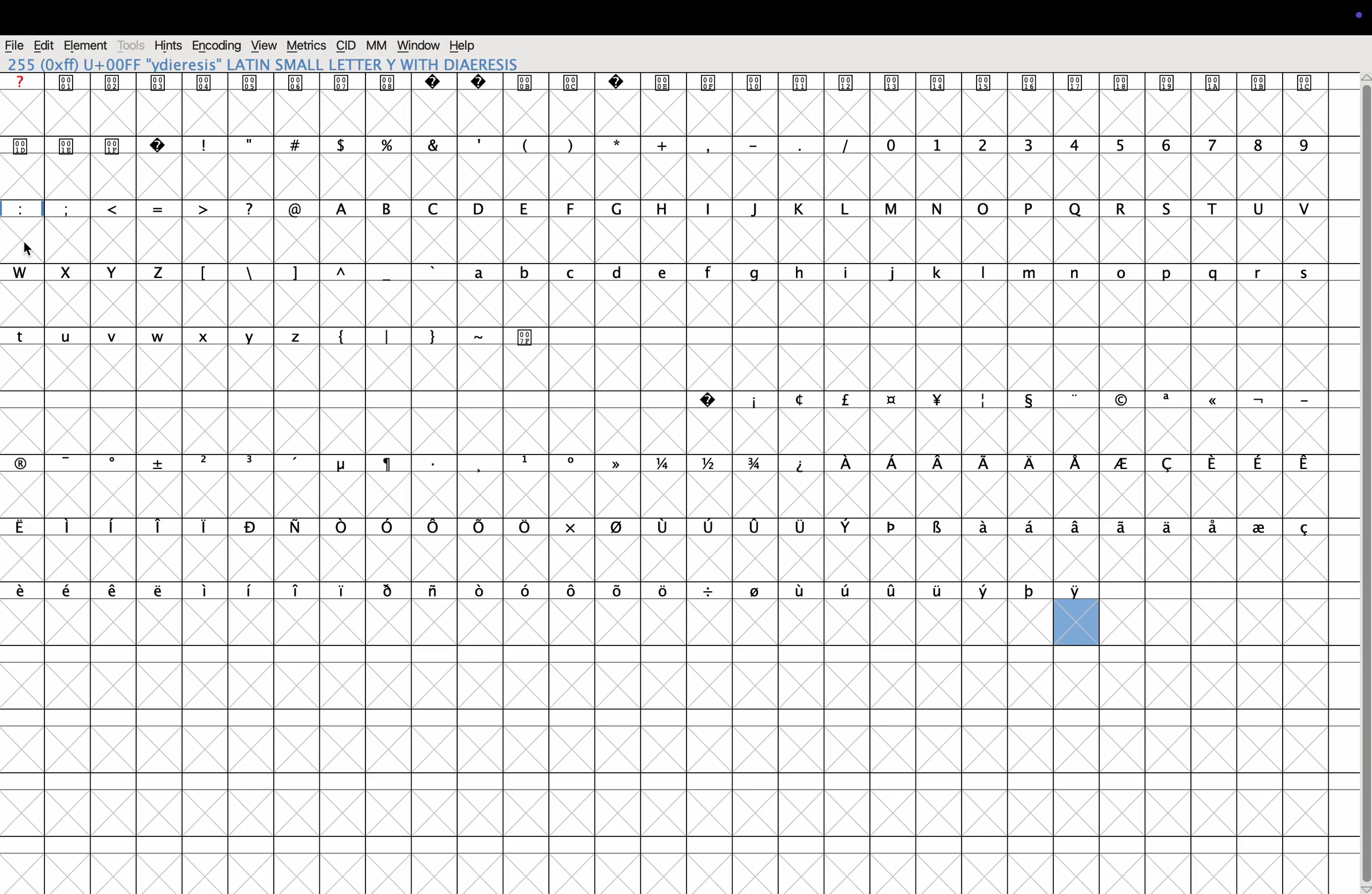 The height and width of the screenshot is (894, 1372). Describe the element at coordinates (574, 233) in the screenshot. I see `F` at that location.